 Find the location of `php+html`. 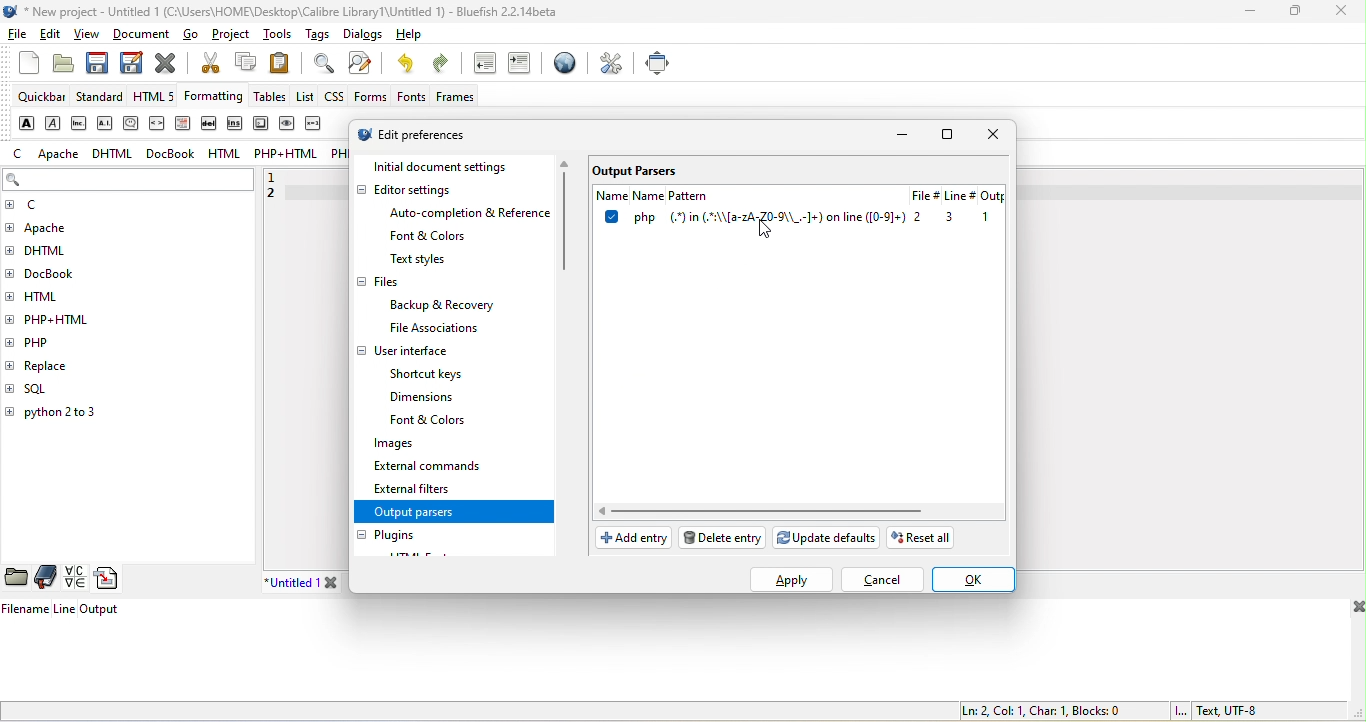

php+html is located at coordinates (65, 321).